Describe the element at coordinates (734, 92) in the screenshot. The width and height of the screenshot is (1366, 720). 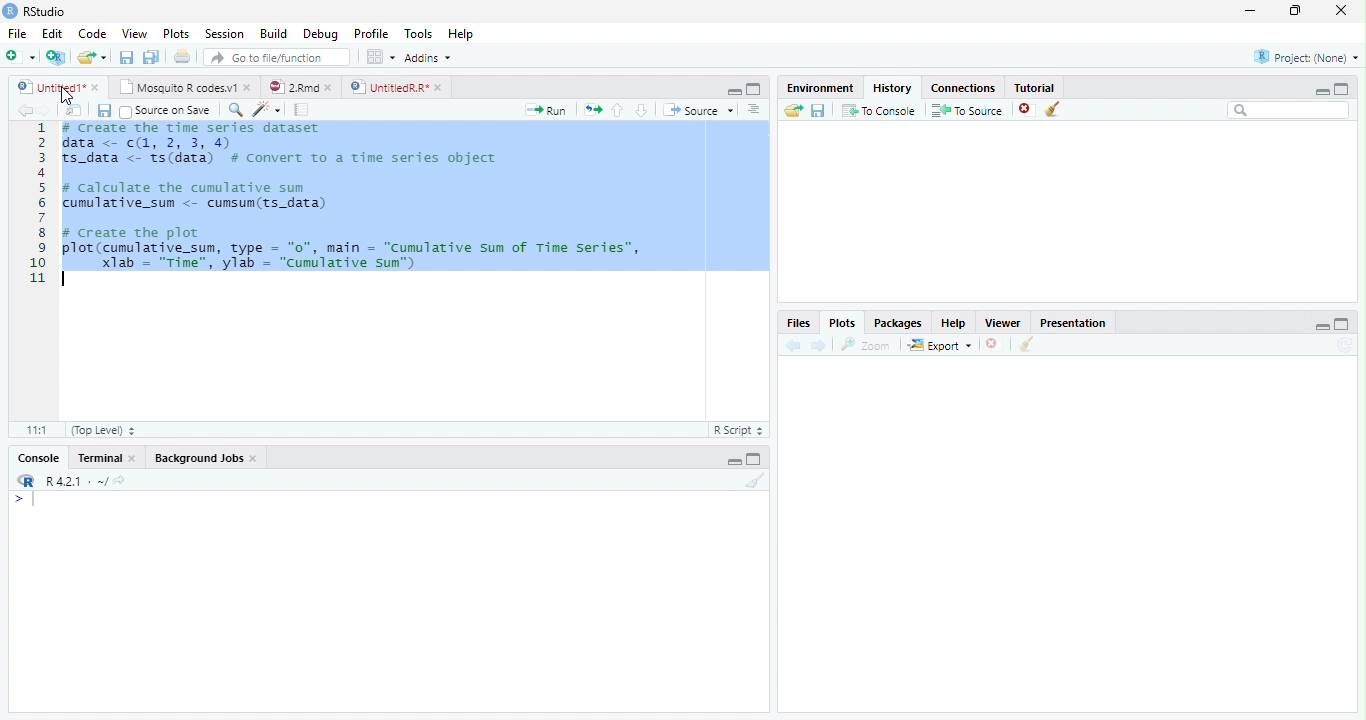
I see `Minimize` at that location.